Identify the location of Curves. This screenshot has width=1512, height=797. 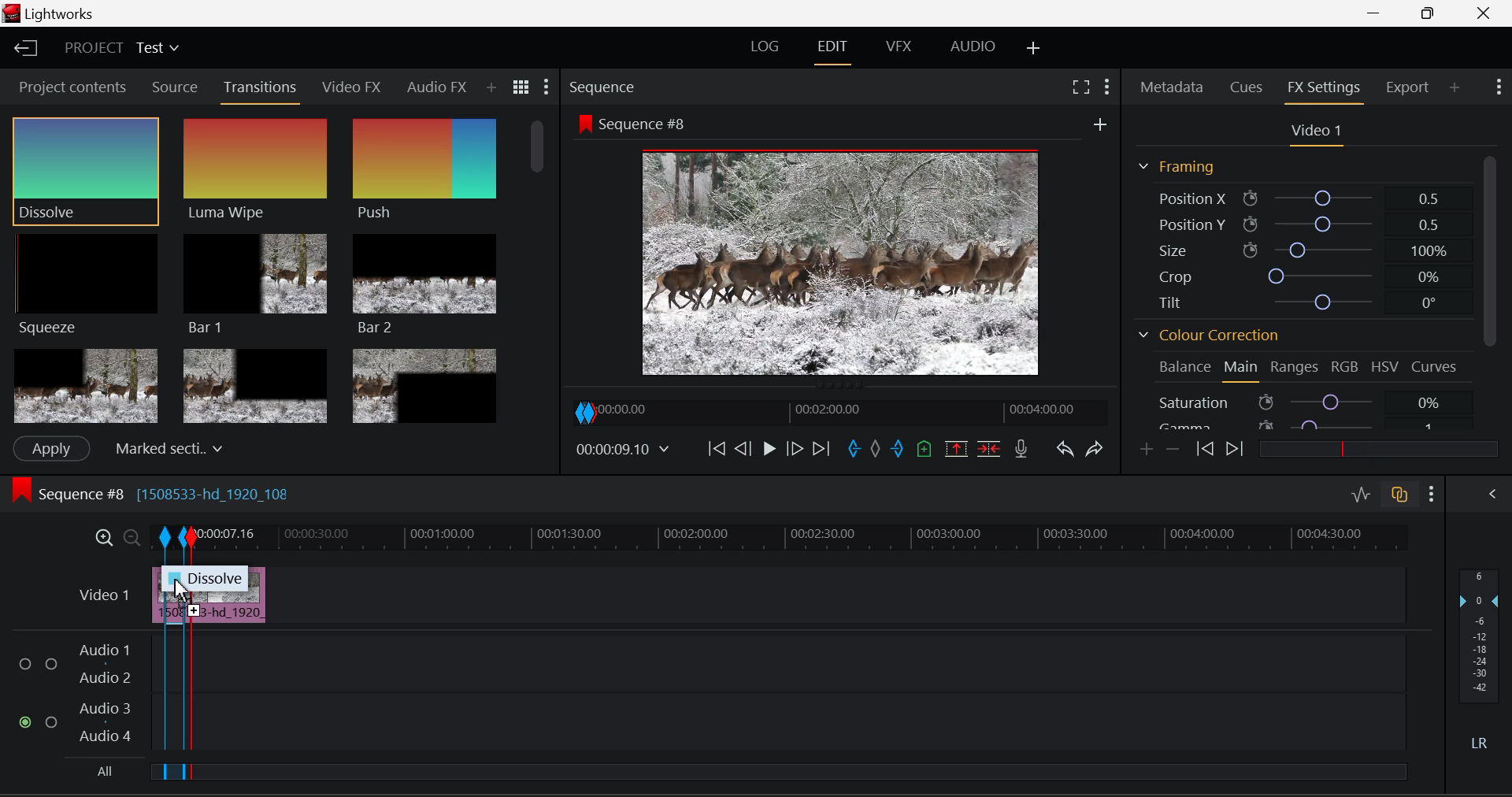
(1436, 367).